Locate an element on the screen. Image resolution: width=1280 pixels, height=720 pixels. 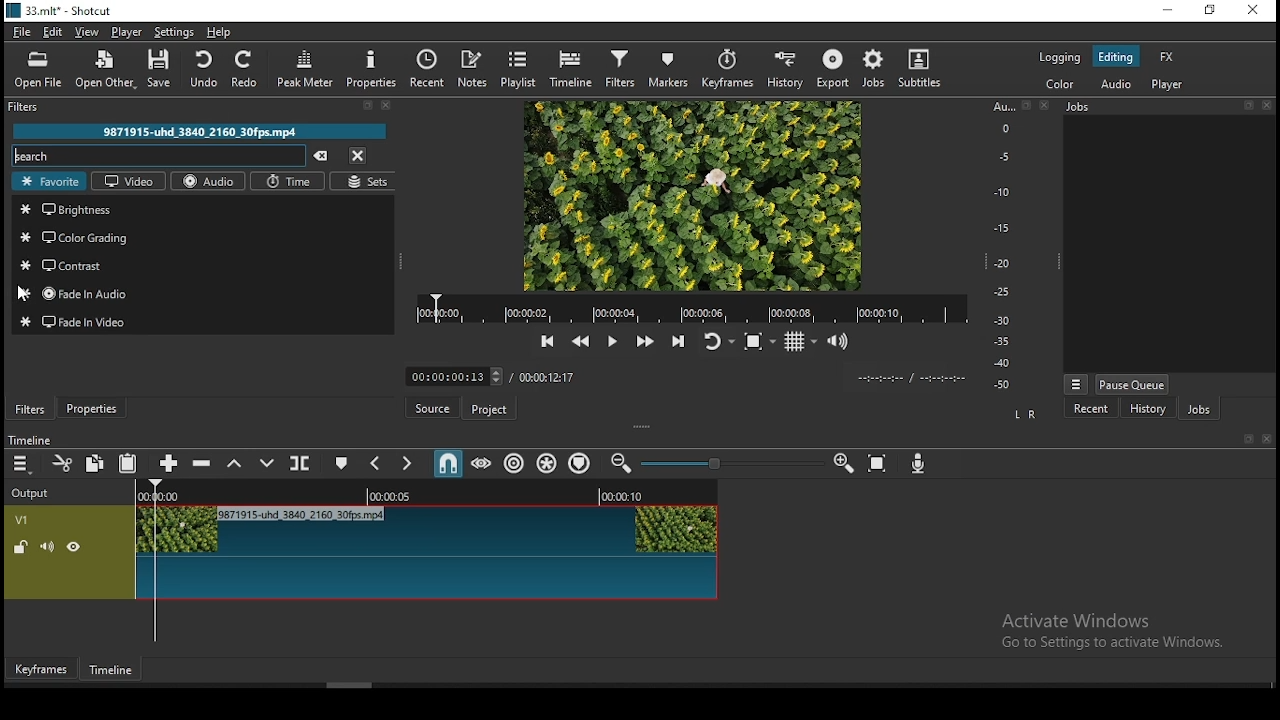
next marker is located at coordinates (407, 462).